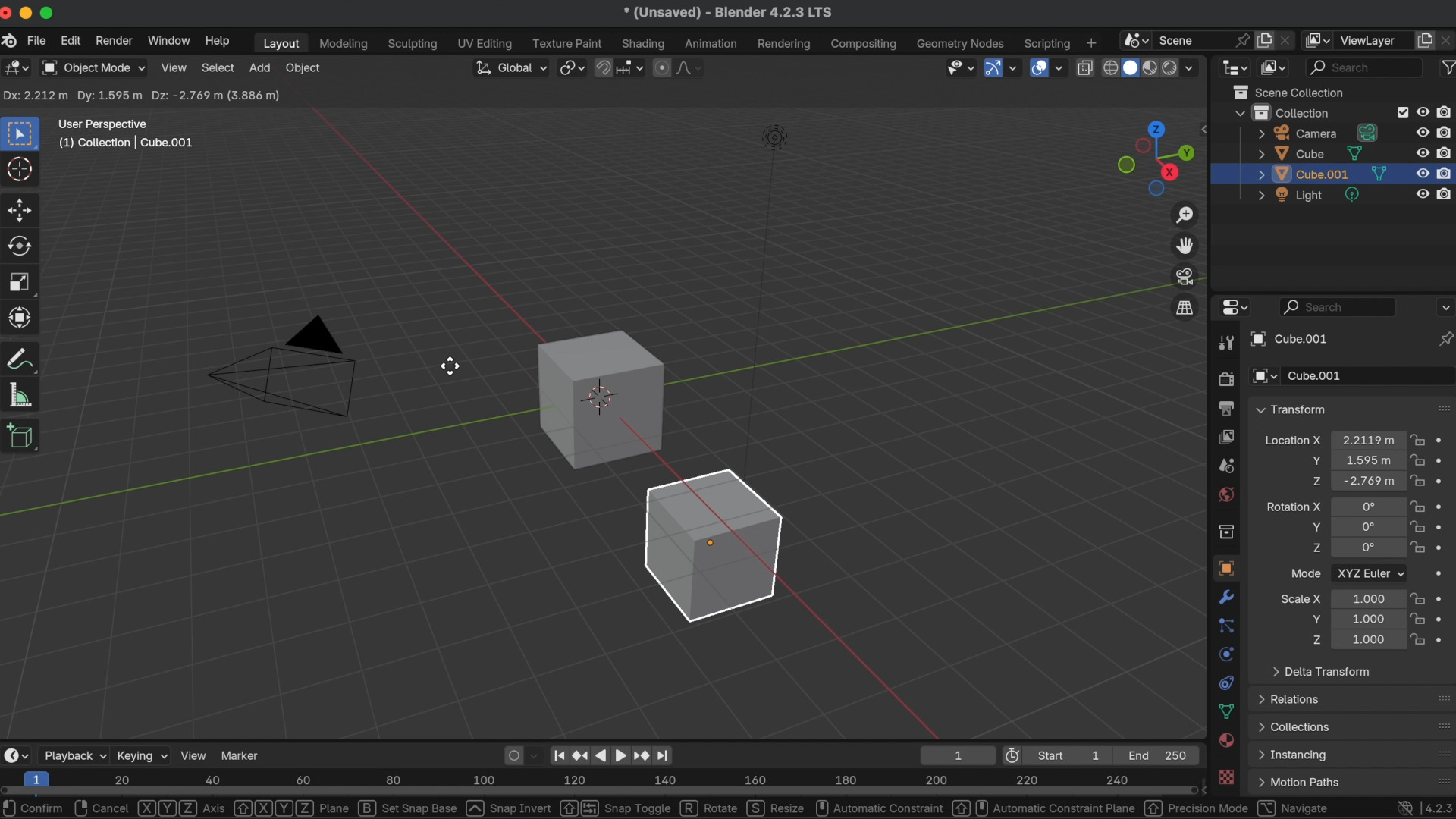 This screenshot has height=819, width=1456. Describe the element at coordinates (1275, 67) in the screenshot. I see `display mode` at that location.